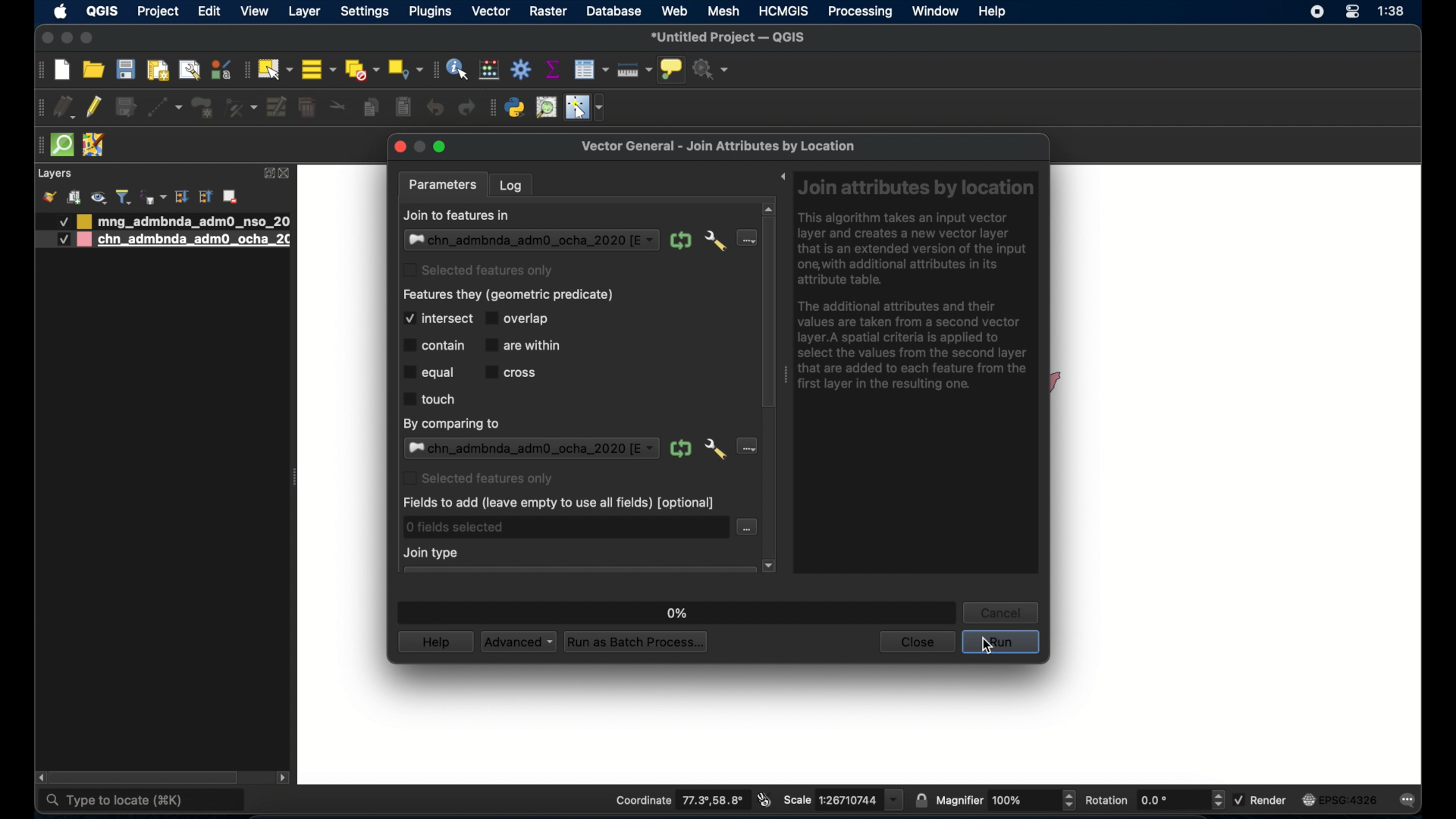 The image size is (1456, 819). What do you see at coordinates (511, 184) in the screenshot?
I see `log` at bounding box center [511, 184].